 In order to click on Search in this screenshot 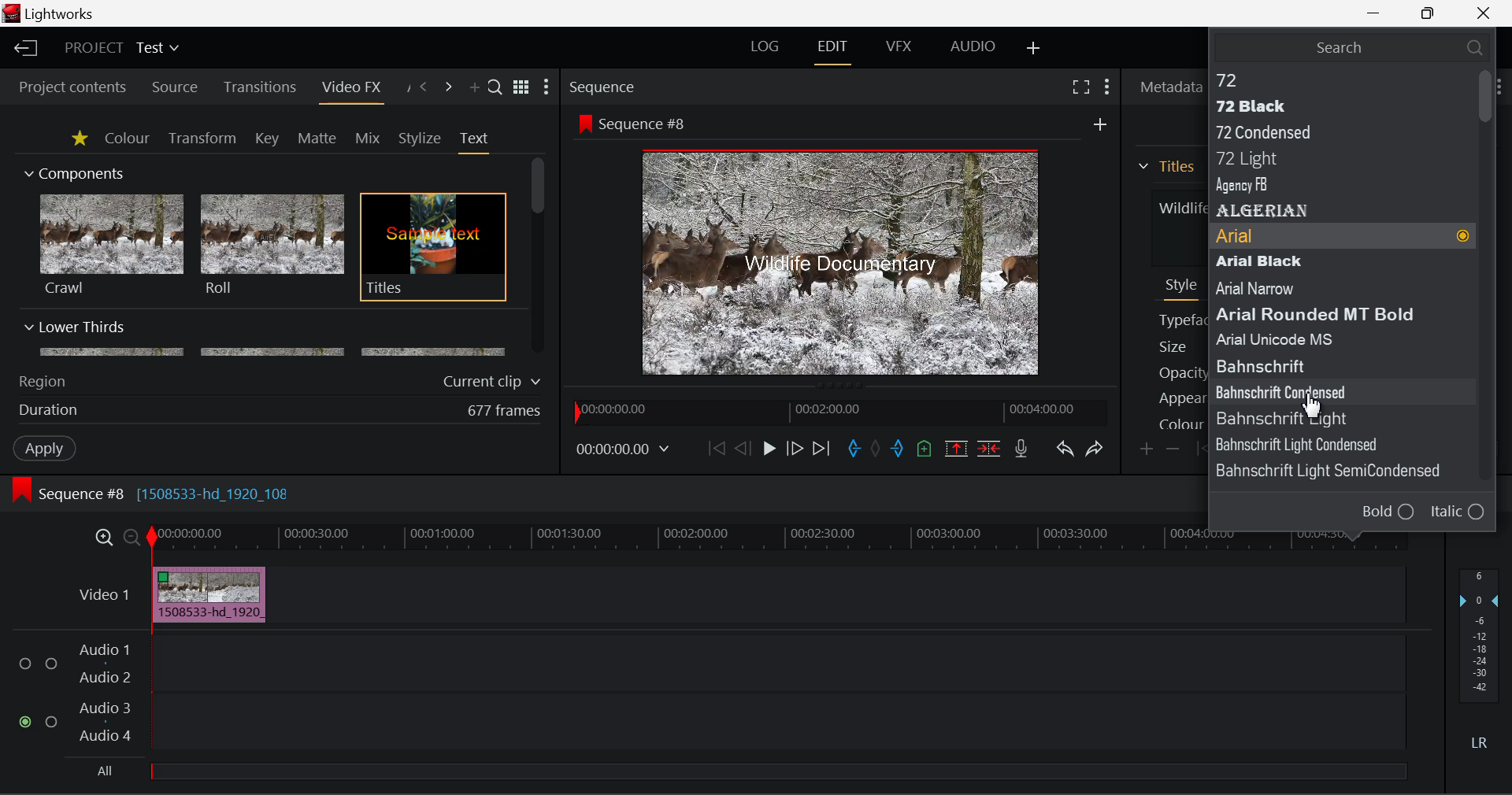, I will do `click(496, 86)`.